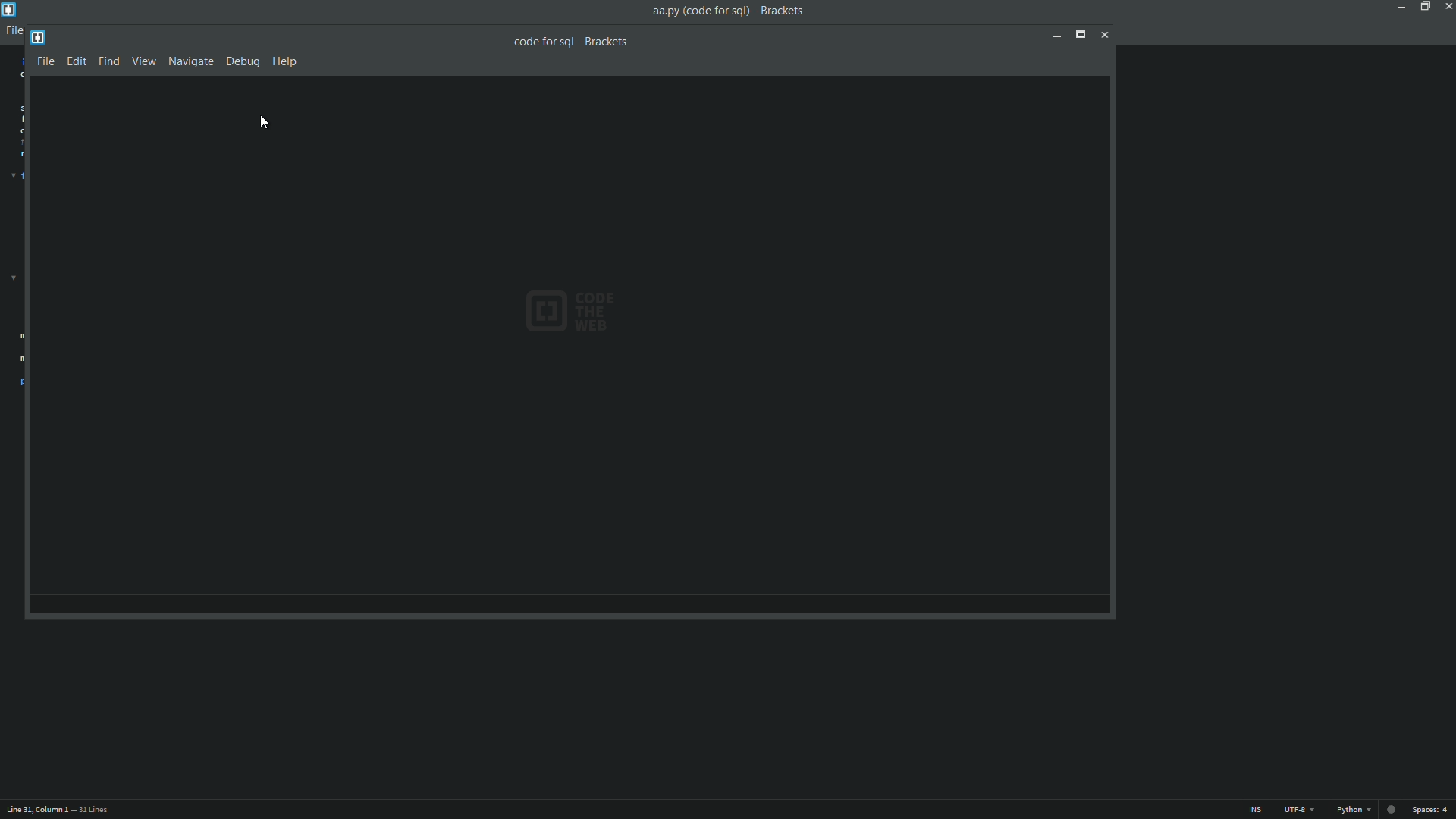 This screenshot has height=819, width=1456. I want to click on Navigation, so click(190, 61).